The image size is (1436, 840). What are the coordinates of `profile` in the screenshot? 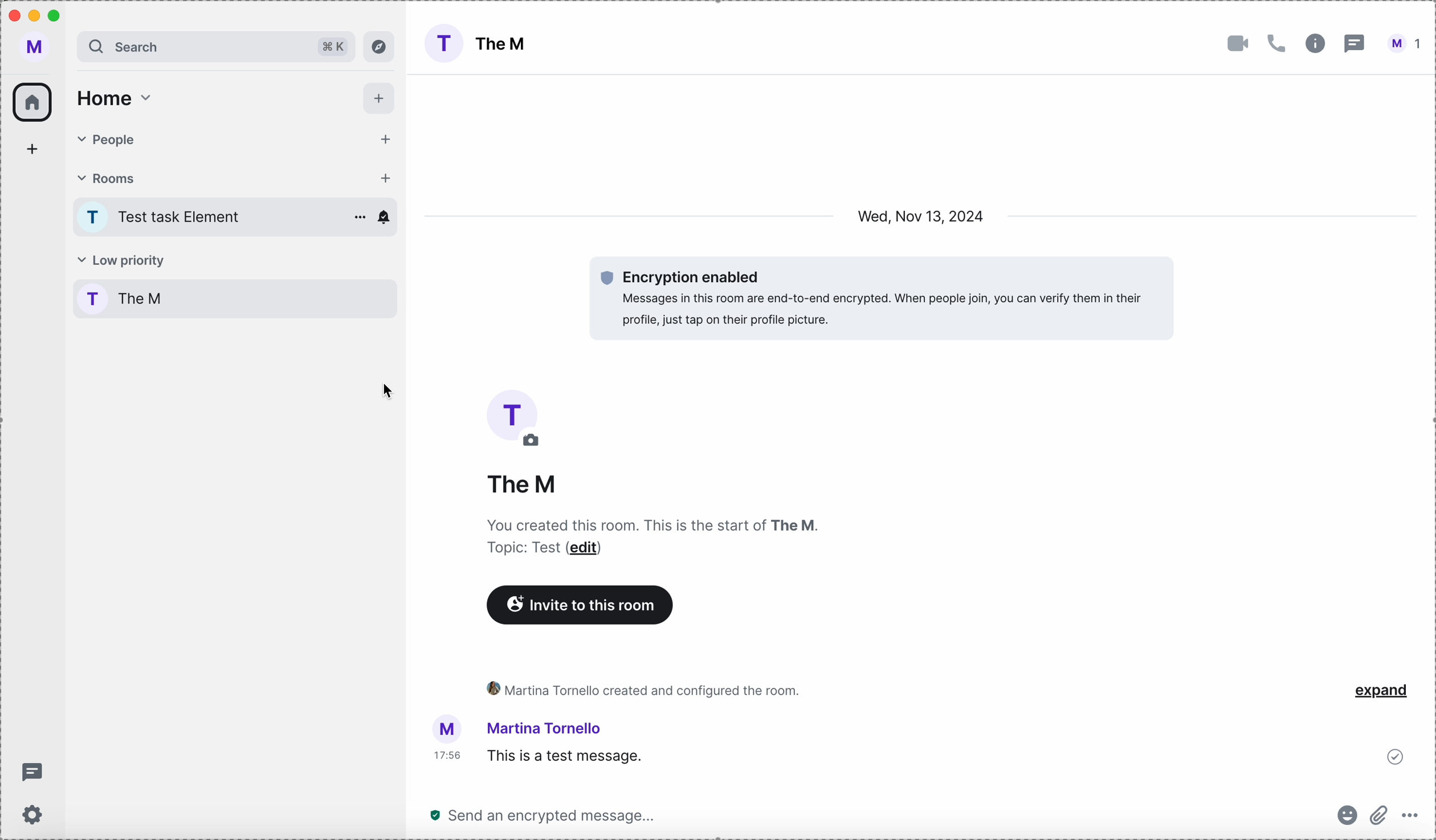 It's located at (93, 300).